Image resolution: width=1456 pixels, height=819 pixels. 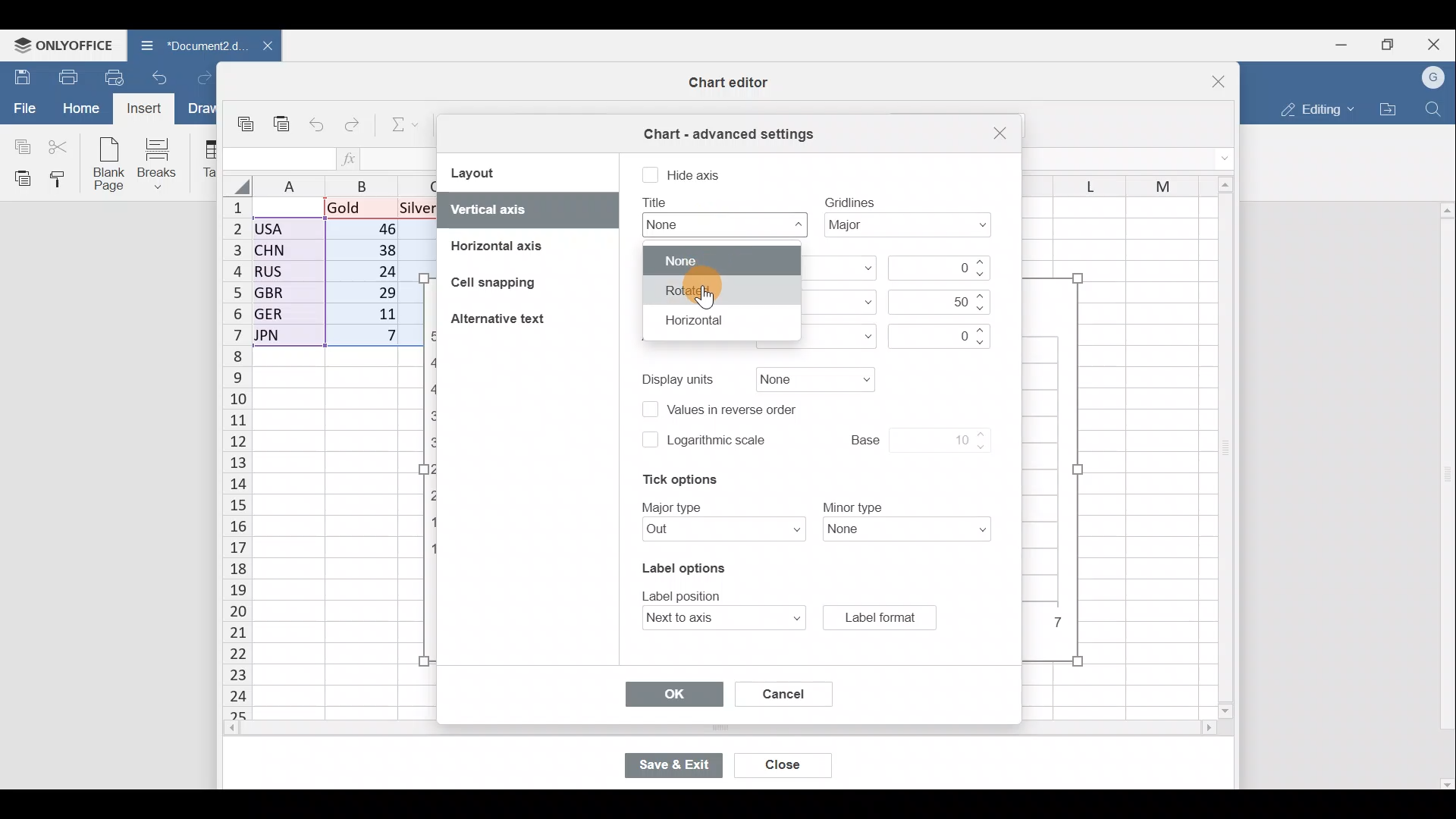 What do you see at coordinates (650, 176) in the screenshot?
I see `checkbox` at bounding box center [650, 176].